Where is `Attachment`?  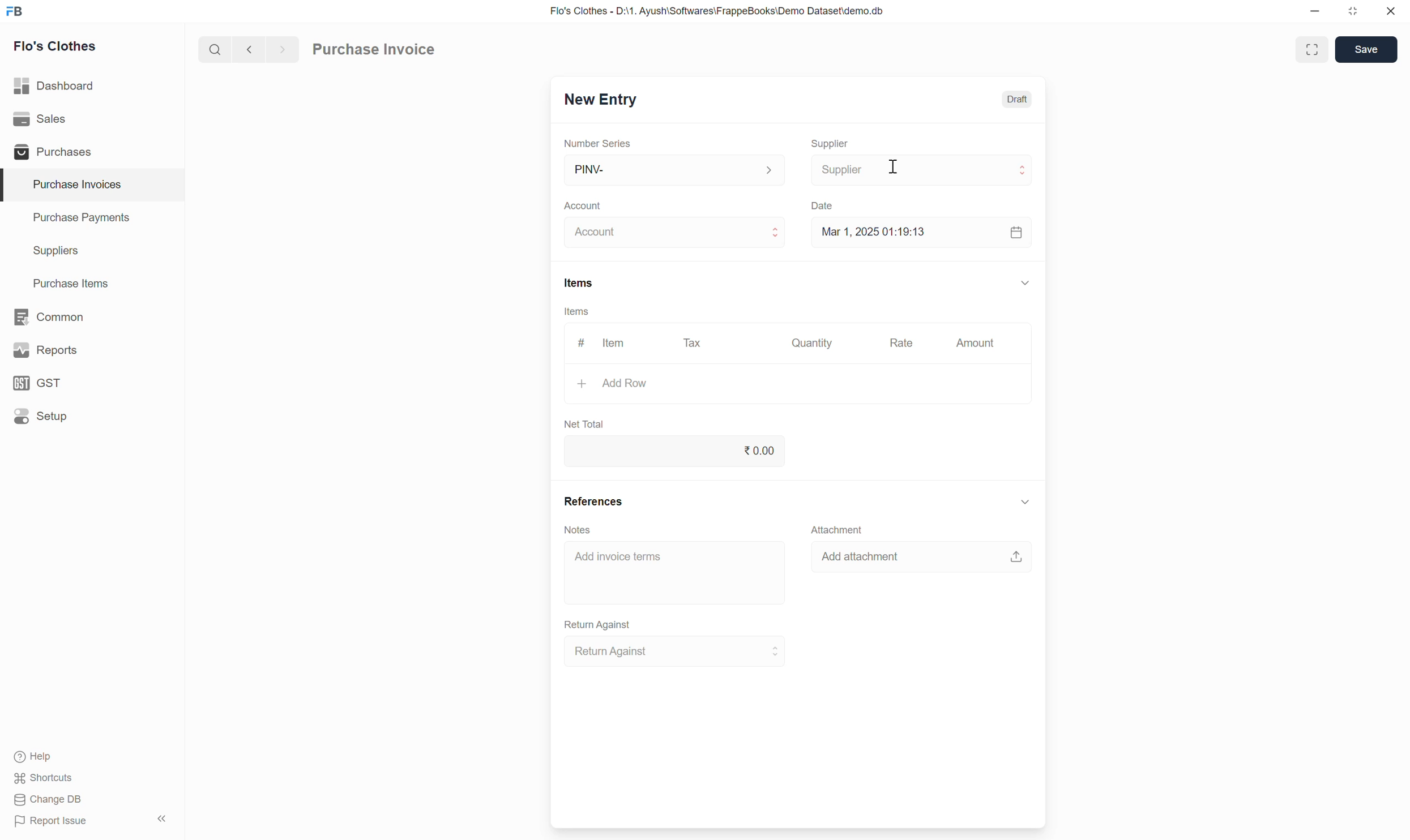
Attachment is located at coordinates (834, 527).